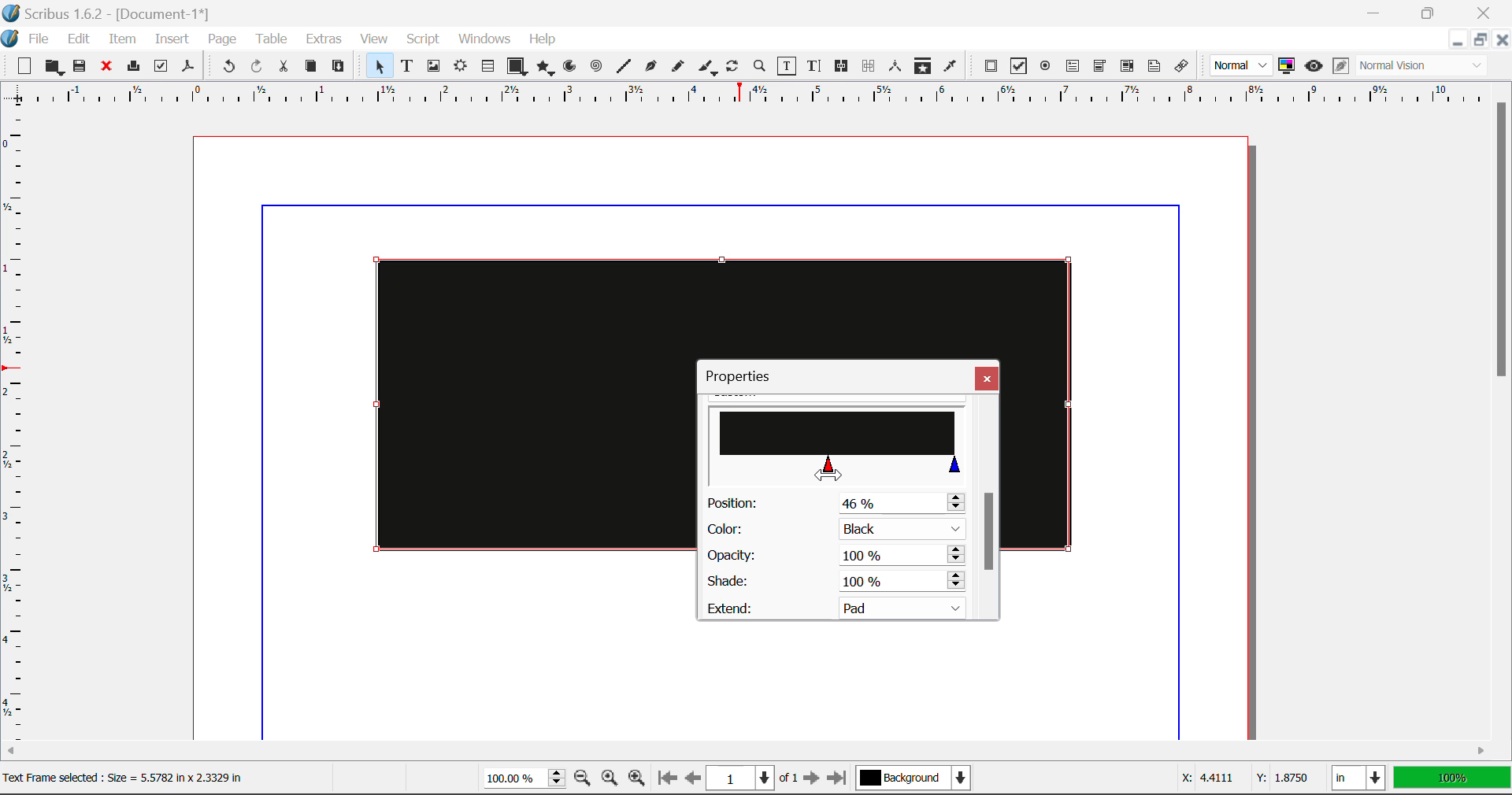 This screenshot has height=795, width=1512. What do you see at coordinates (755, 749) in the screenshot?
I see `Scroll Bar` at bounding box center [755, 749].